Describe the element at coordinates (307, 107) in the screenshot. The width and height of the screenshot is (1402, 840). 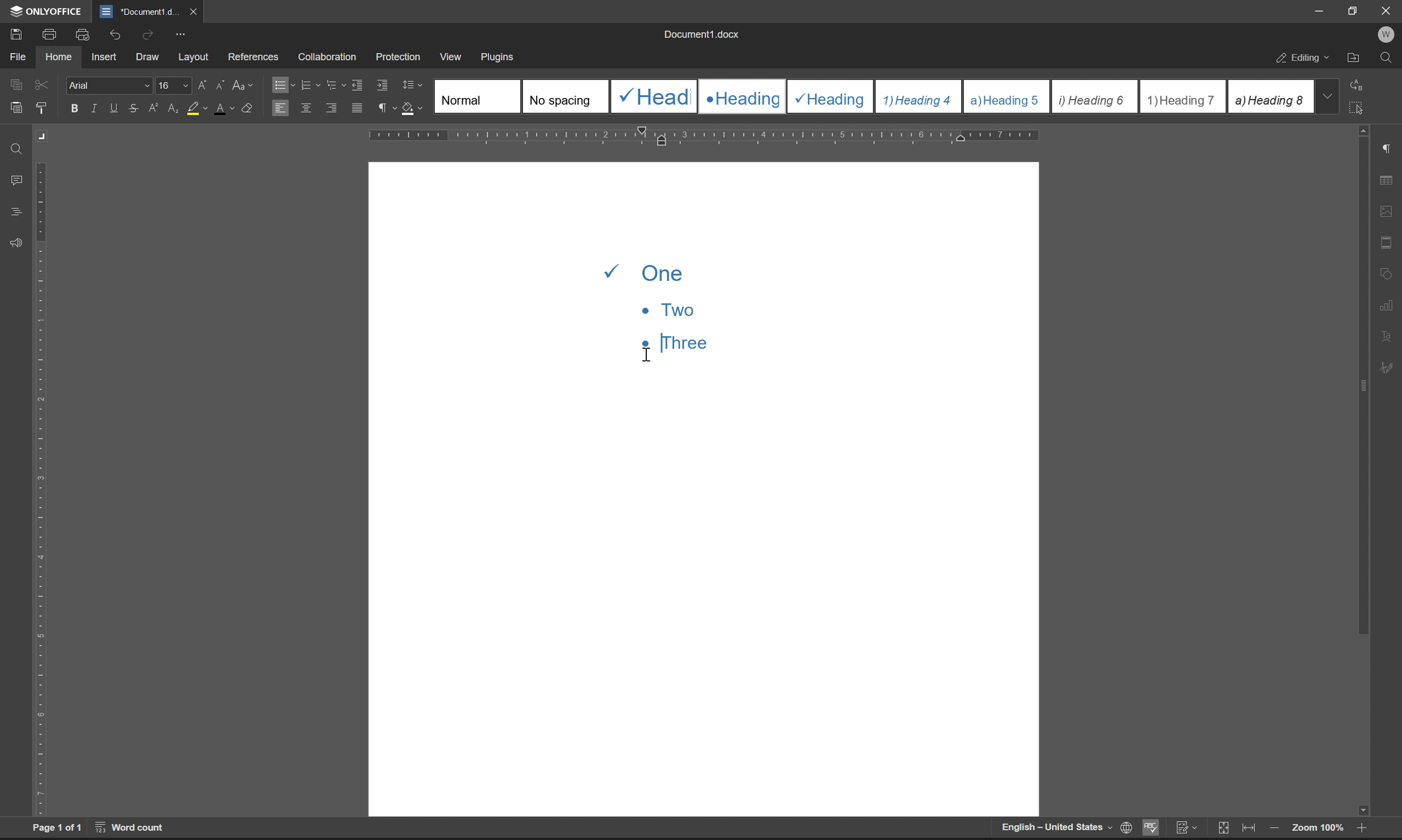
I see `align center` at that location.